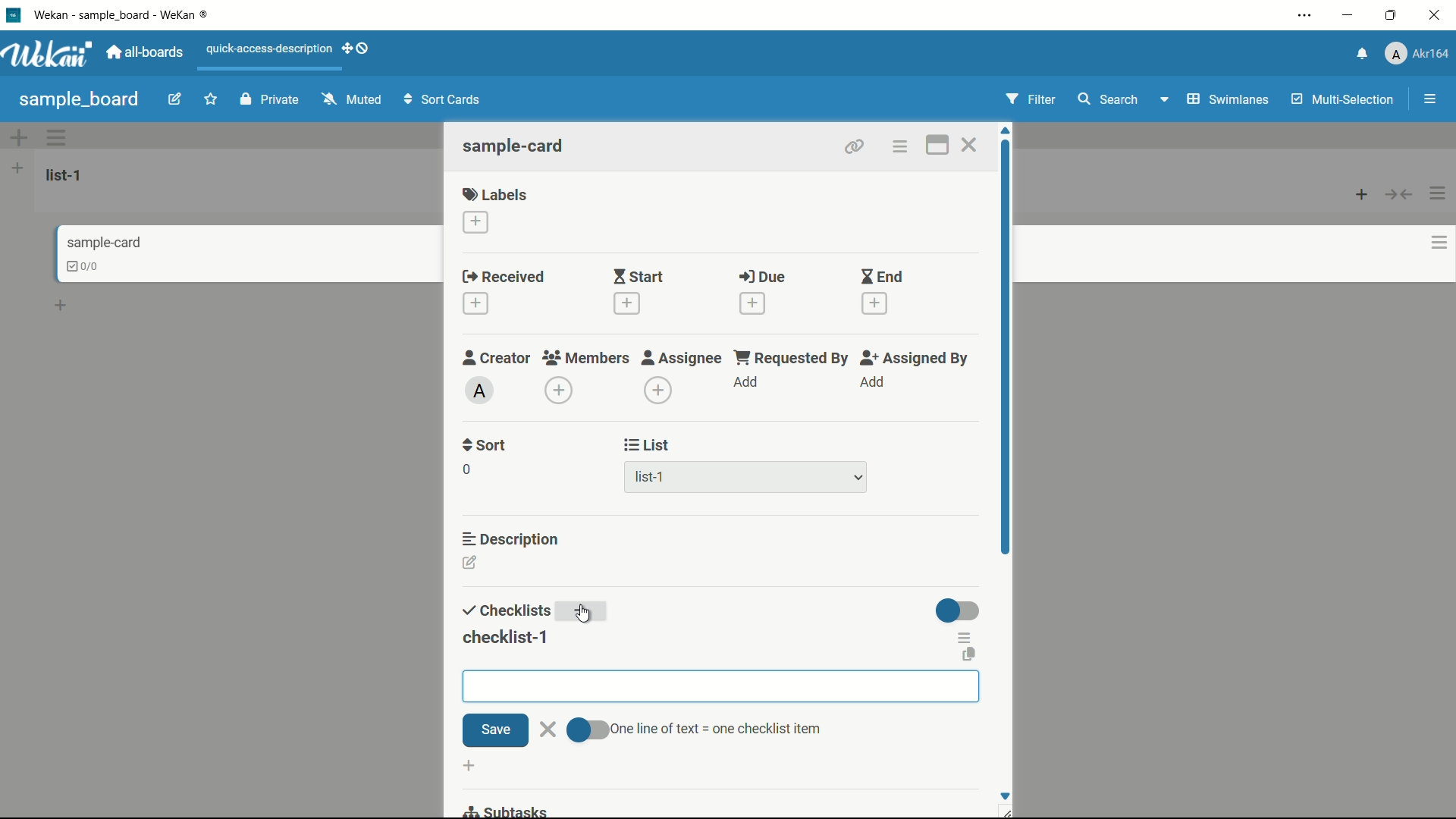 The width and height of the screenshot is (1456, 819). I want to click on subtasks, so click(504, 810).